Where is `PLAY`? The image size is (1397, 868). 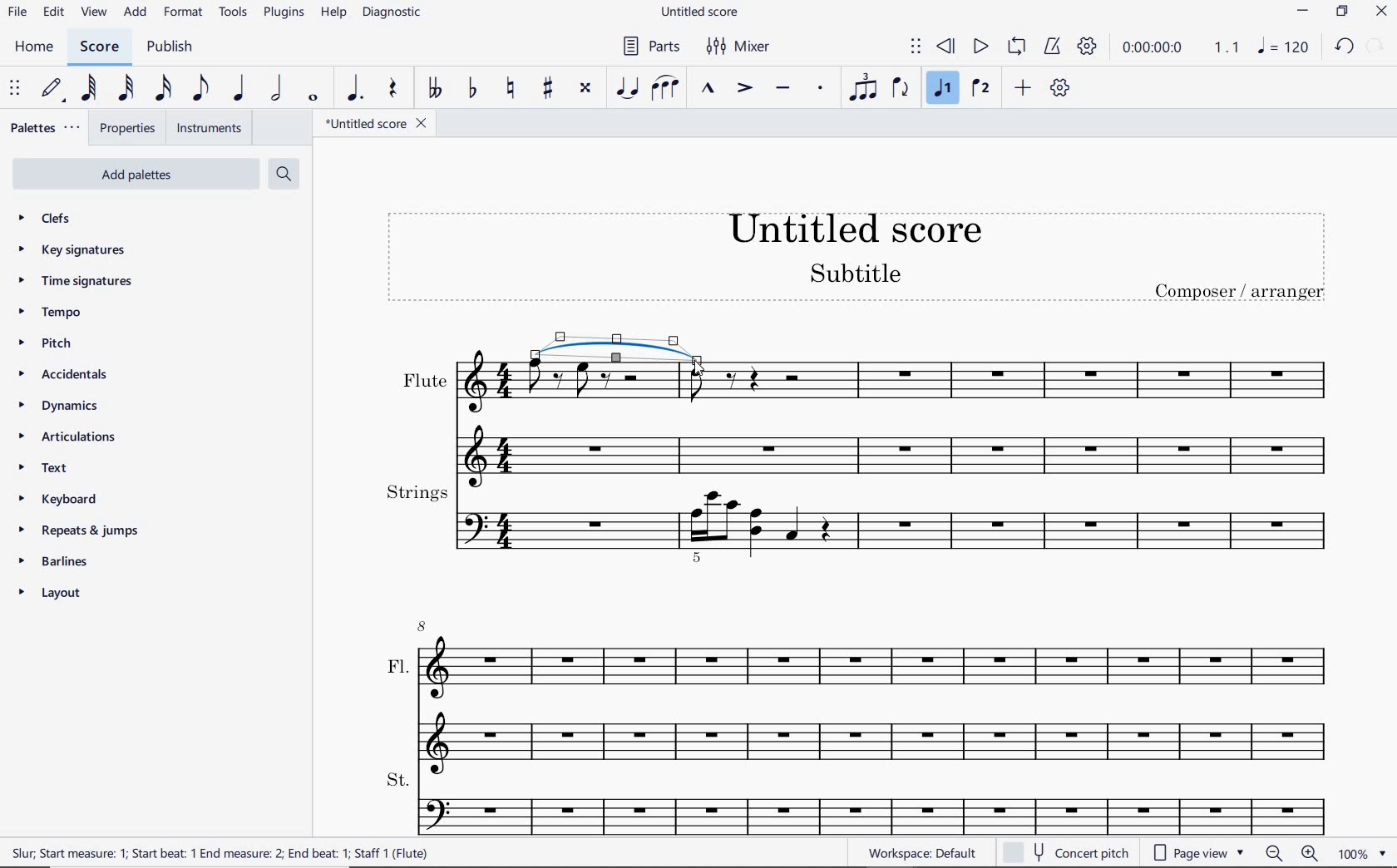 PLAY is located at coordinates (980, 45).